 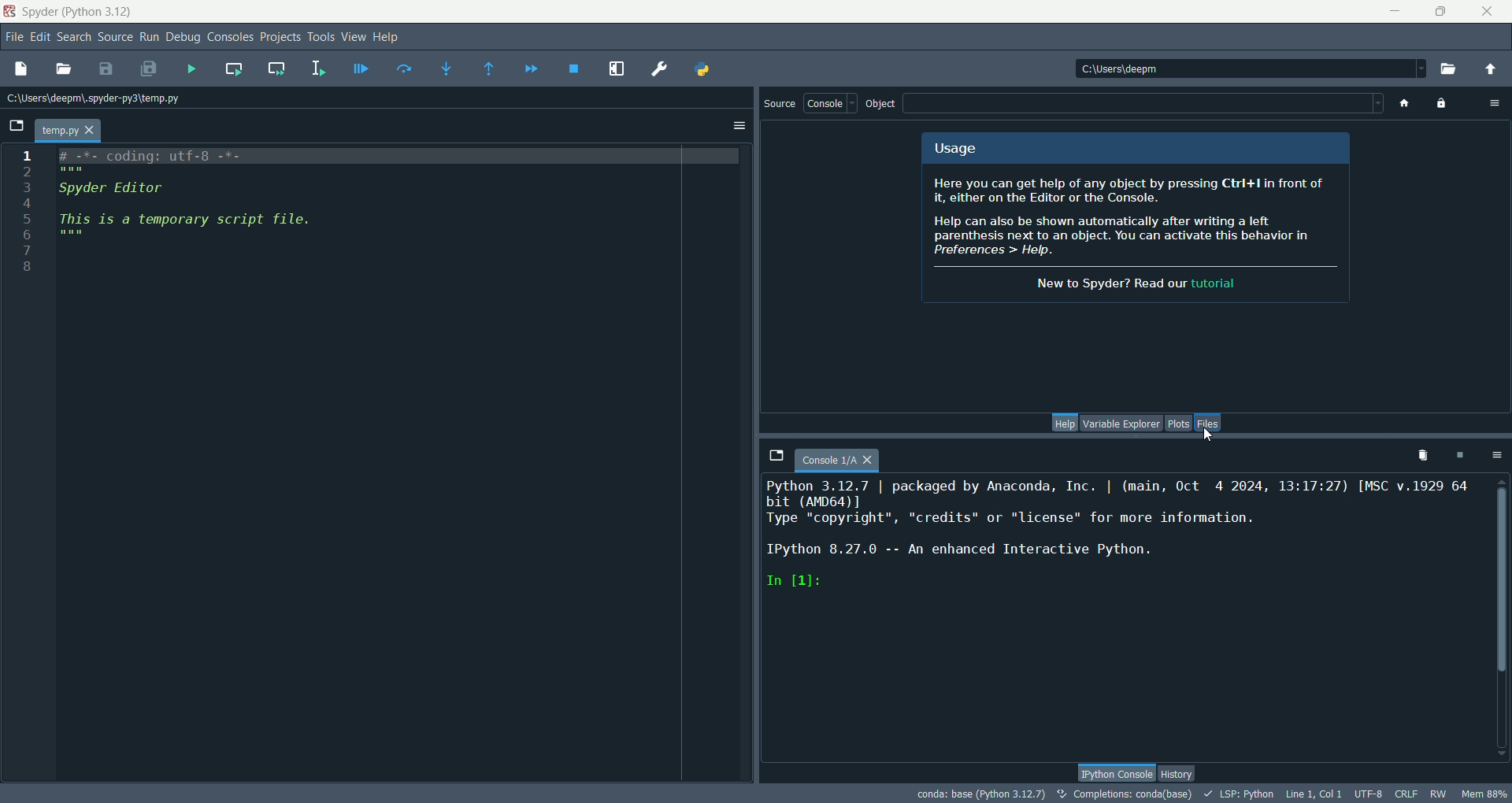 What do you see at coordinates (780, 103) in the screenshot?
I see `source` at bounding box center [780, 103].